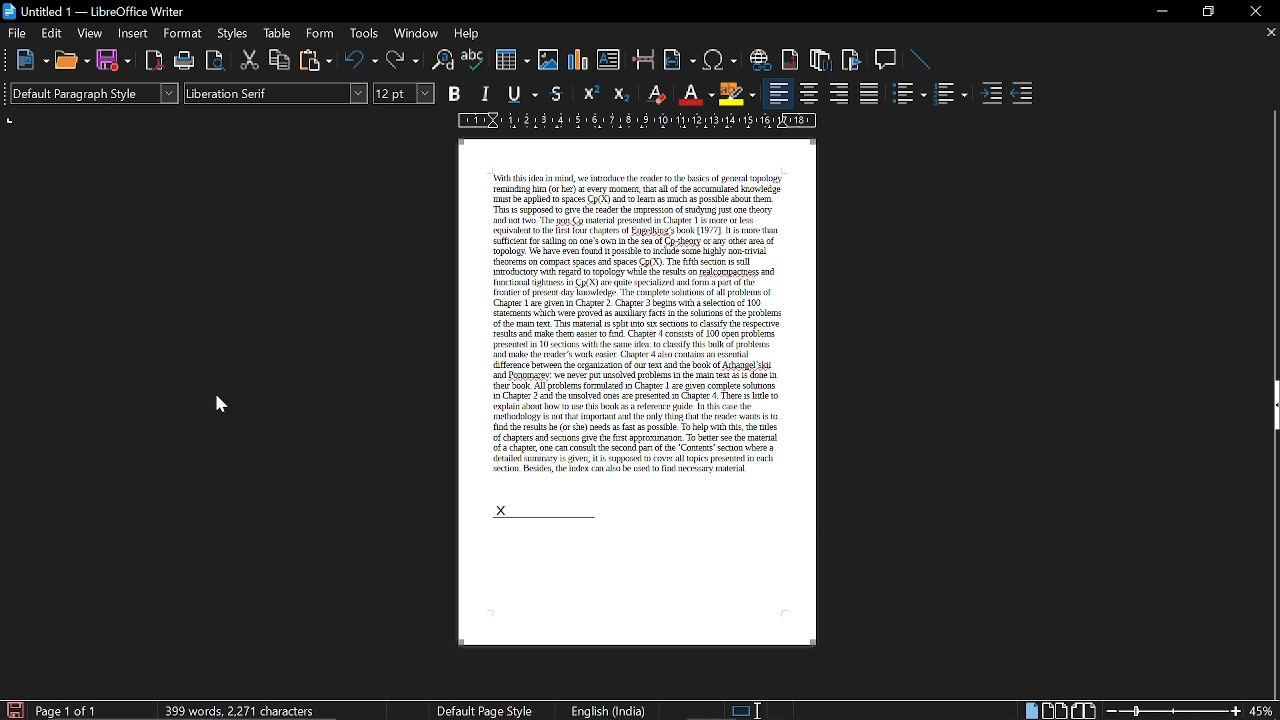  What do you see at coordinates (1170, 711) in the screenshot?
I see `change zoom` at bounding box center [1170, 711].